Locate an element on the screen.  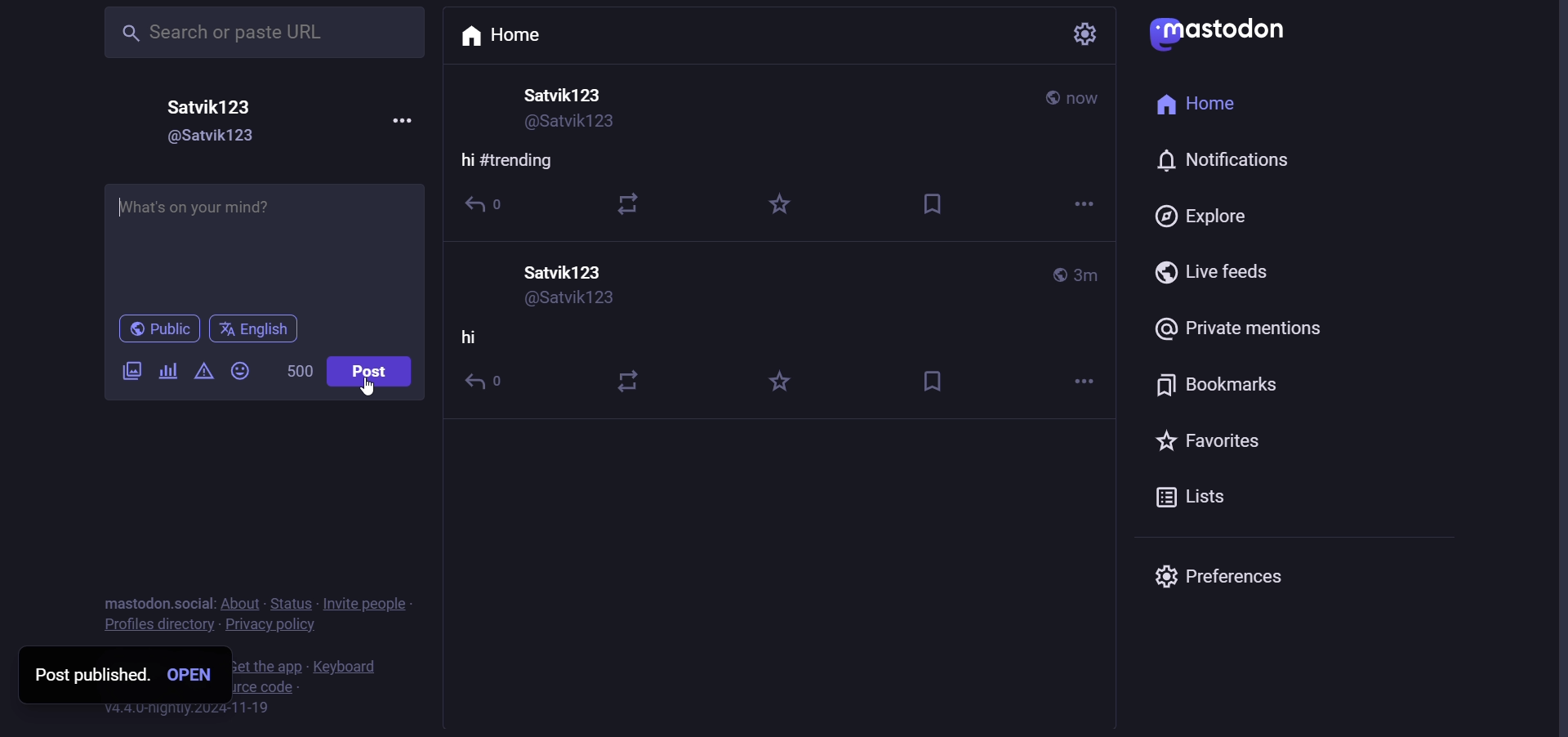
explore is located at coordinates (1200, 218).